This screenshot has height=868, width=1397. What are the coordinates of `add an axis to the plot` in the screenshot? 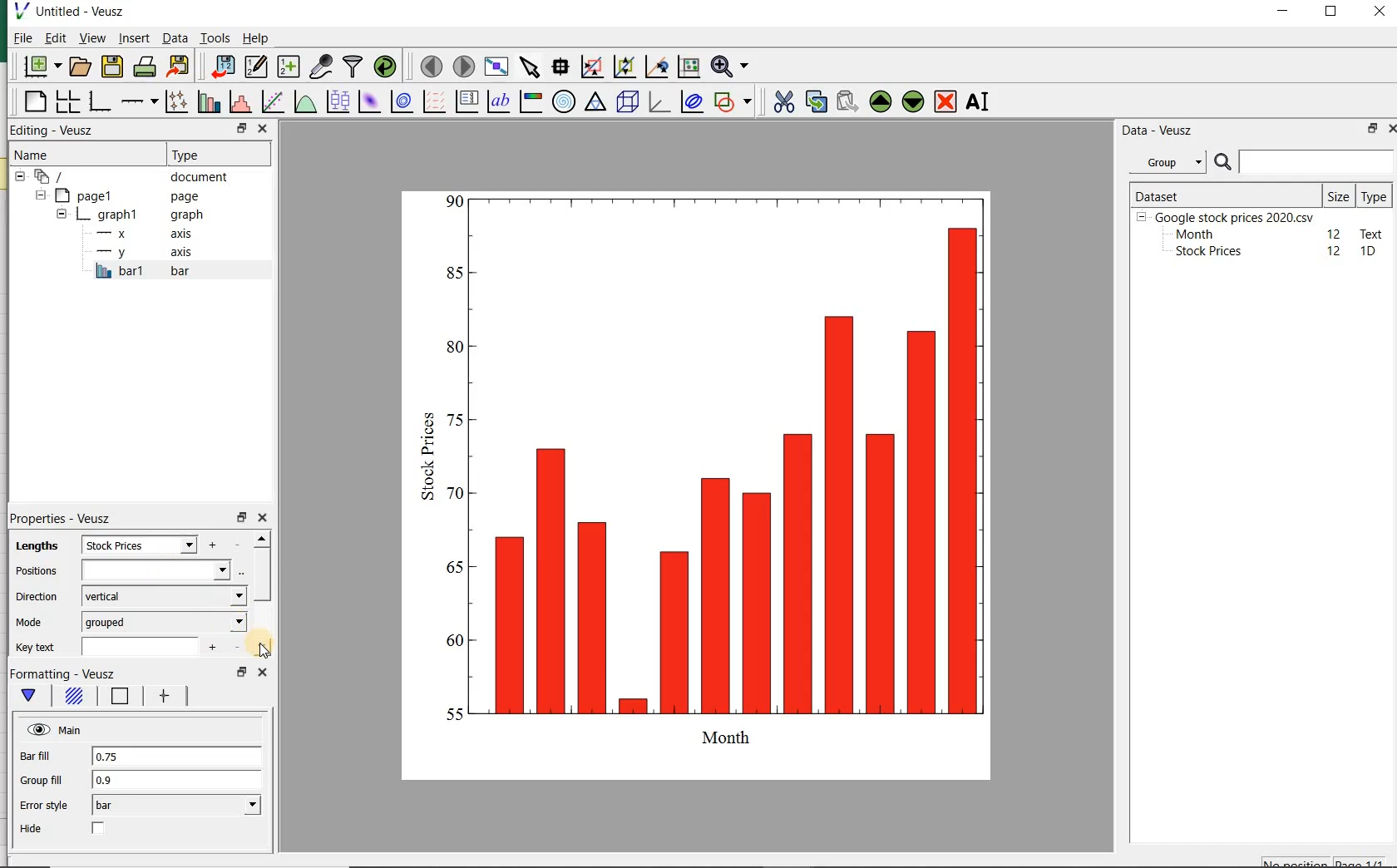 It's located at (138, 103).